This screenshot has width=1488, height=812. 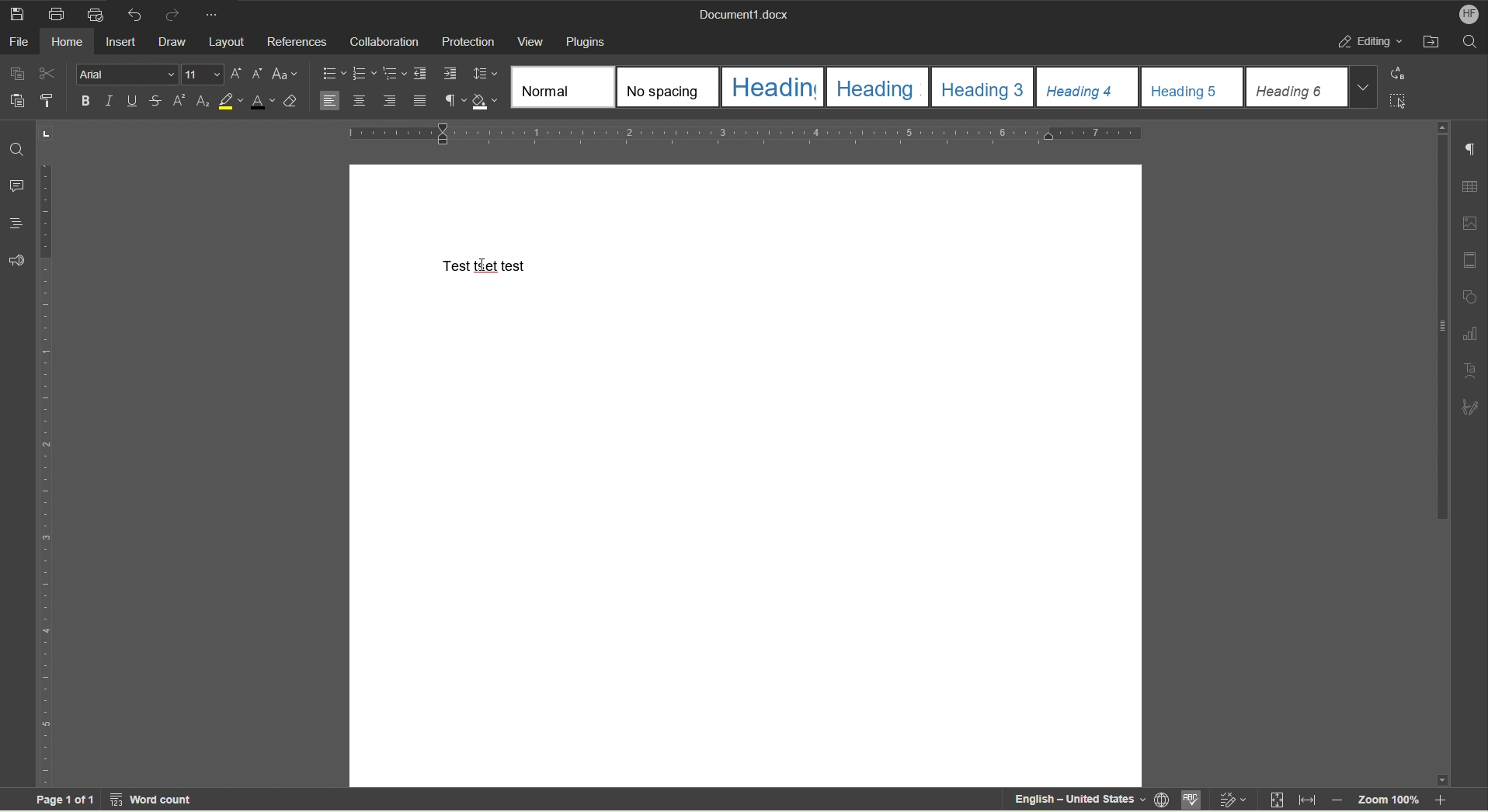 I want to click on Fit to Screen, so click(x=1275, y=800).